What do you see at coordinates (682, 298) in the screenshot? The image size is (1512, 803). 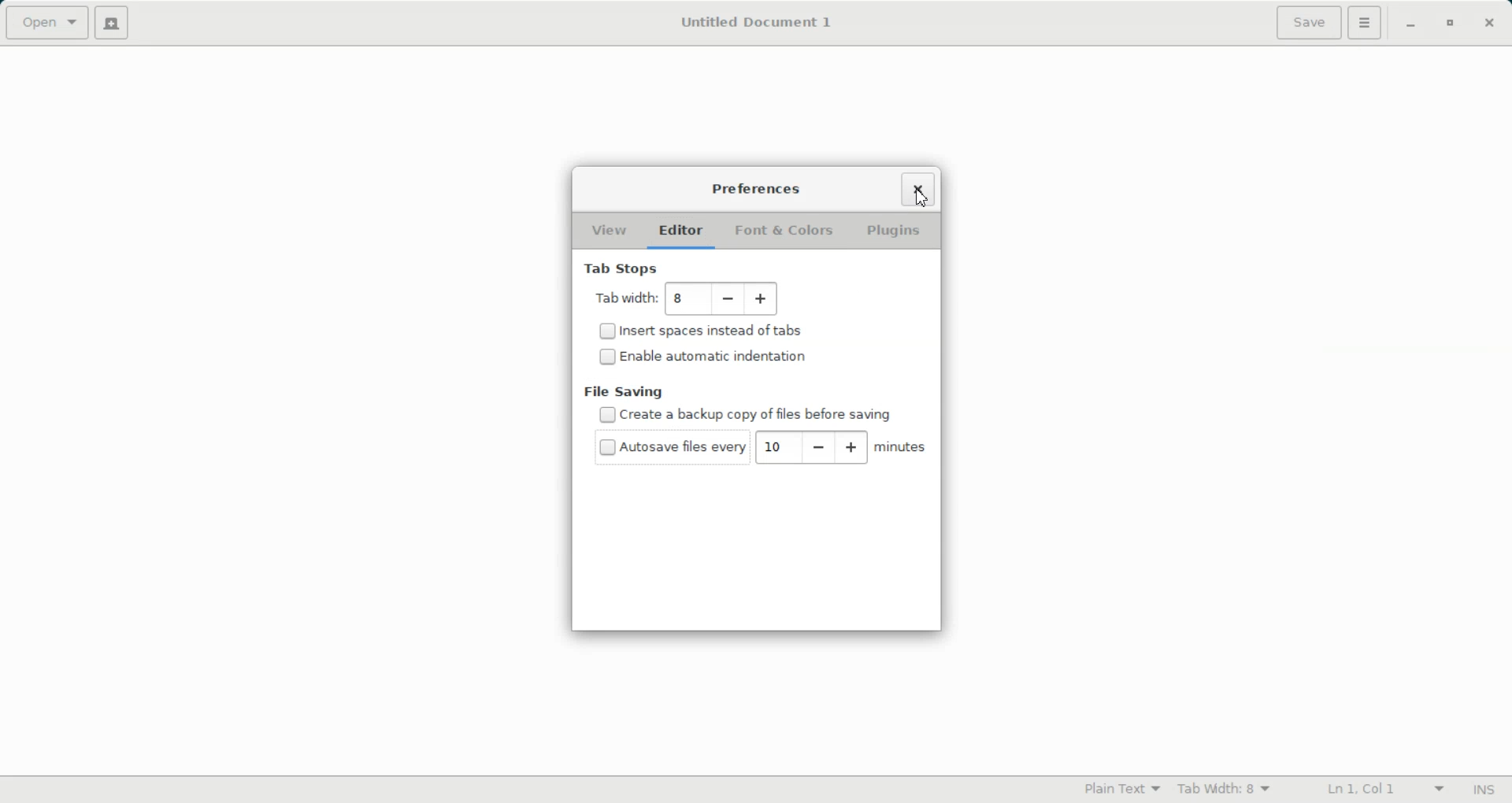 I see `10` at bounding box center [682, 298].